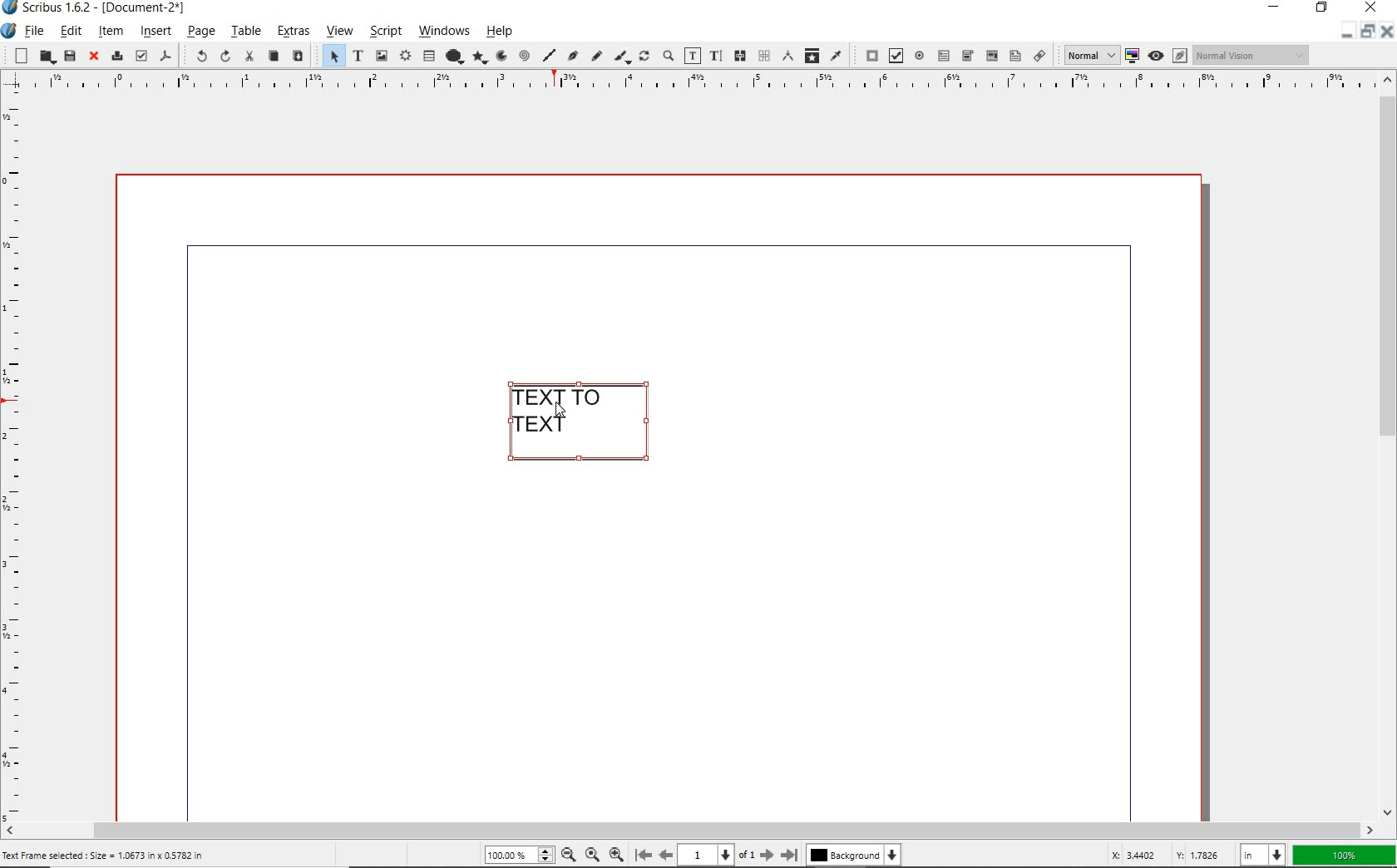 Image resolution: width=1397 pixels, height=868 pixels. I want to click on pdf combo box, so click(991, 57).